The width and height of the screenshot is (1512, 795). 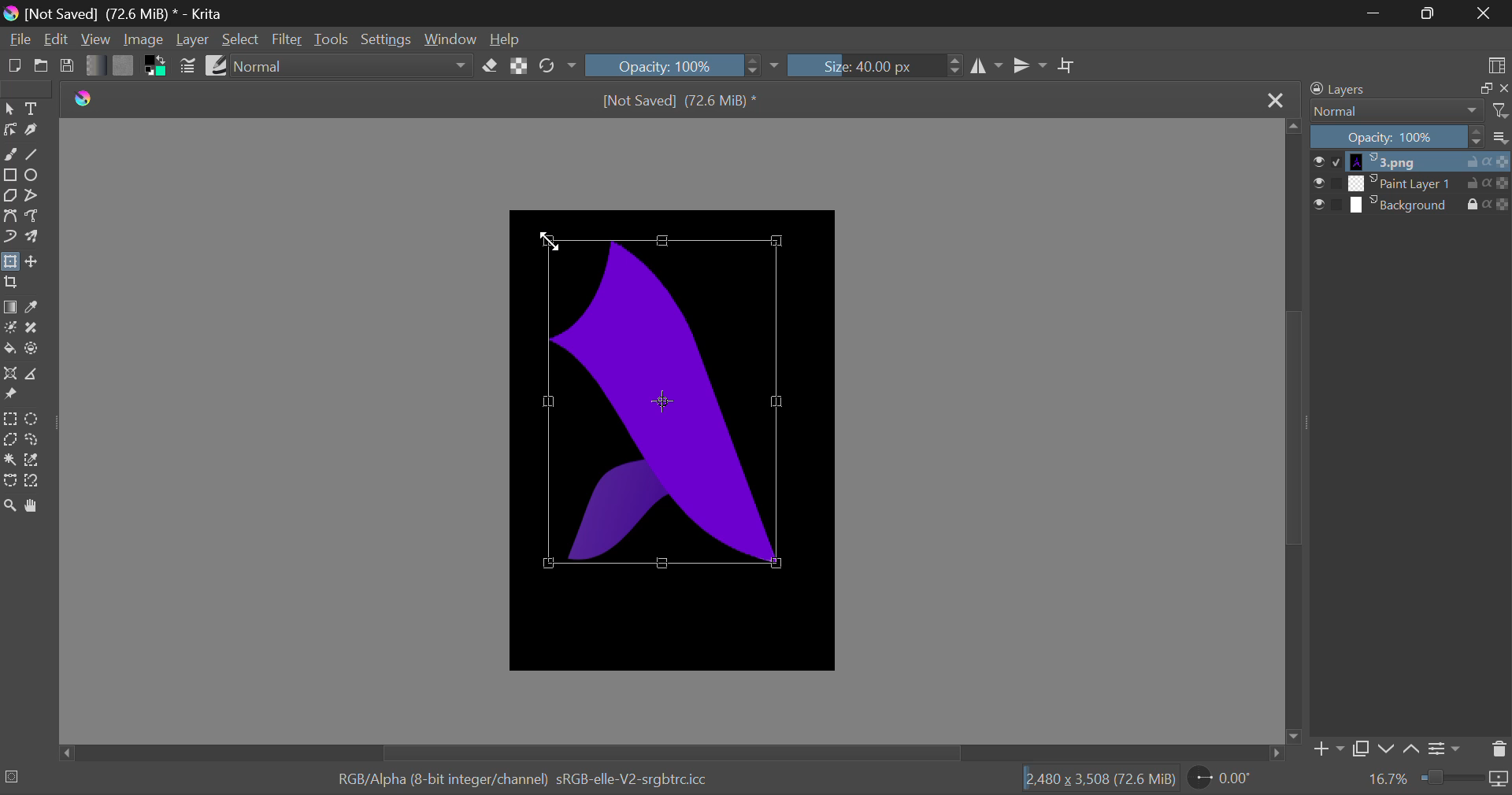 What do you see at coordinates (10, 352) in the screenshot?
I see `Fill` at bounding box center [10, 352].